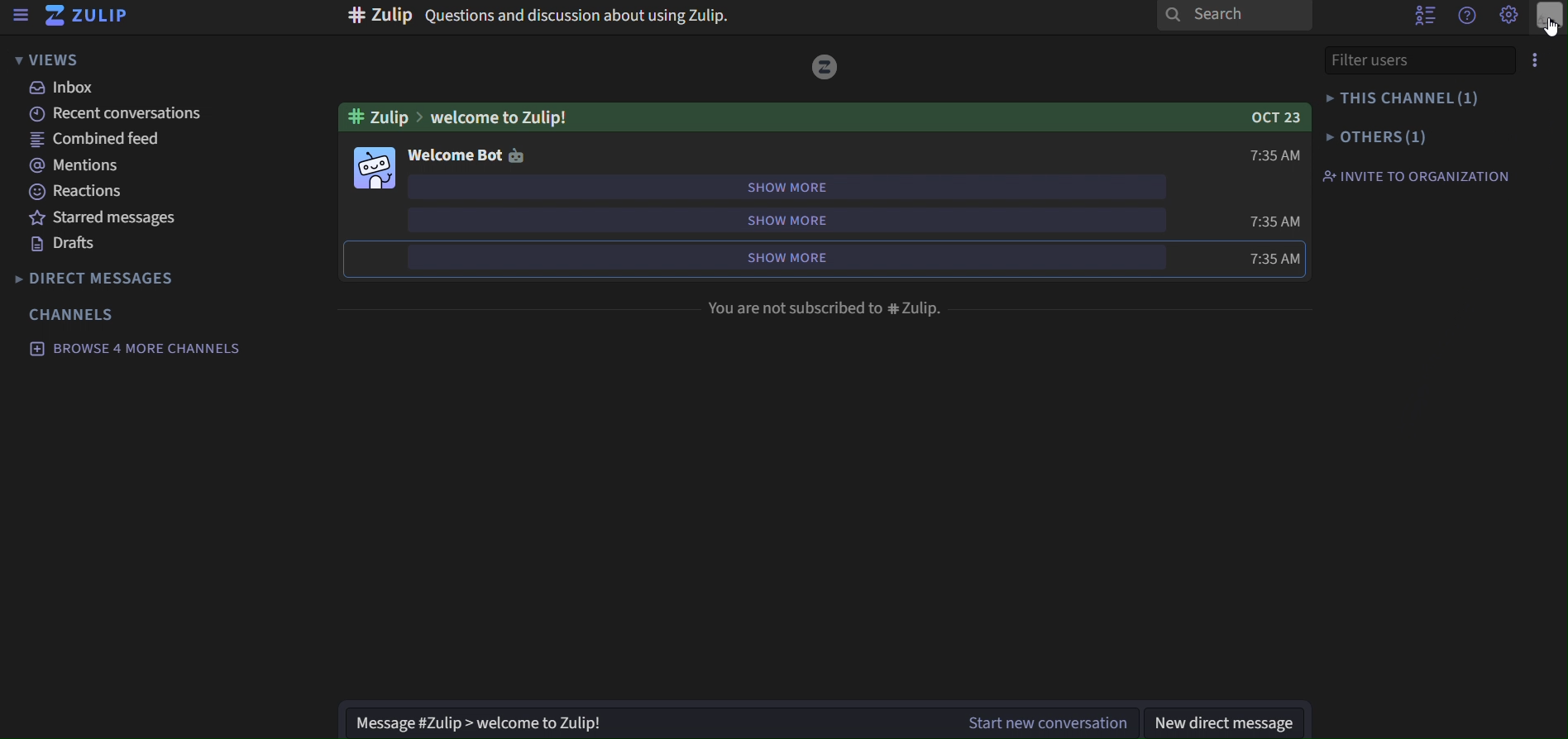  Describe the element at coordinates (126, 313) in the screenshot. I see `channels` at that location.